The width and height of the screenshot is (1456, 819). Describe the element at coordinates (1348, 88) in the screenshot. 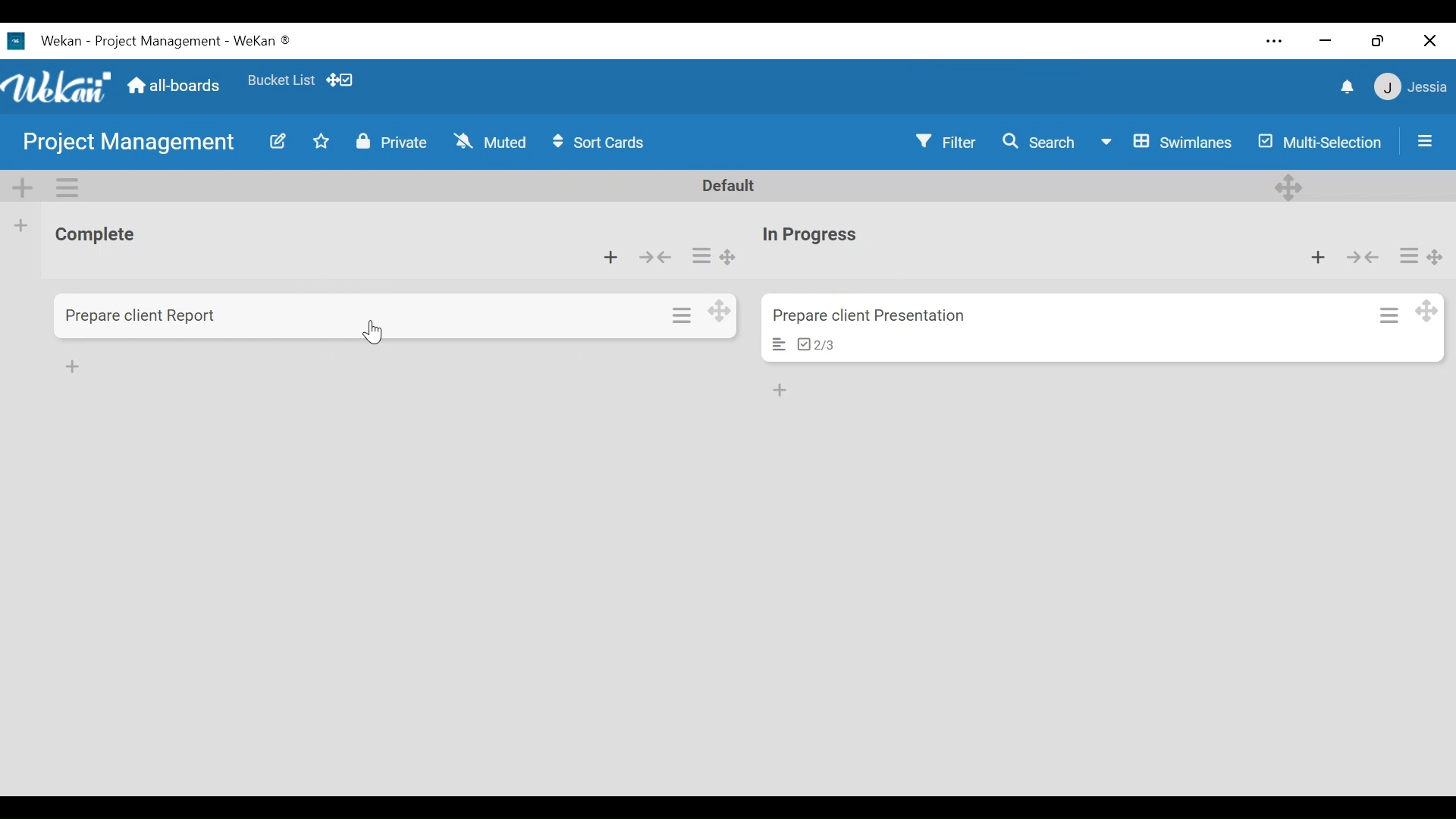

I see `notifications` at that location.